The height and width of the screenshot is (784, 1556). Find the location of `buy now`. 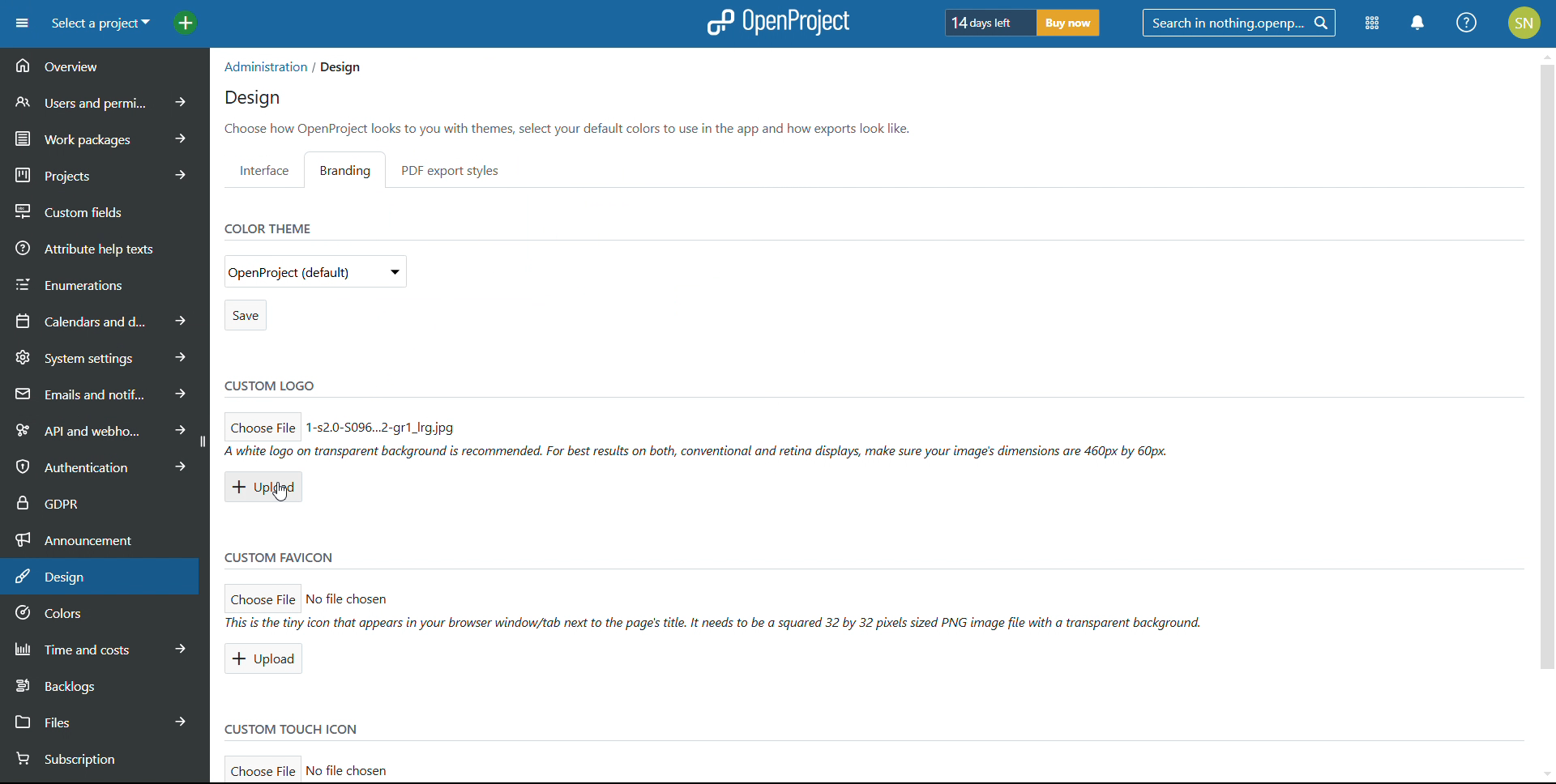

buy now is located at coordinates (1068, 23).